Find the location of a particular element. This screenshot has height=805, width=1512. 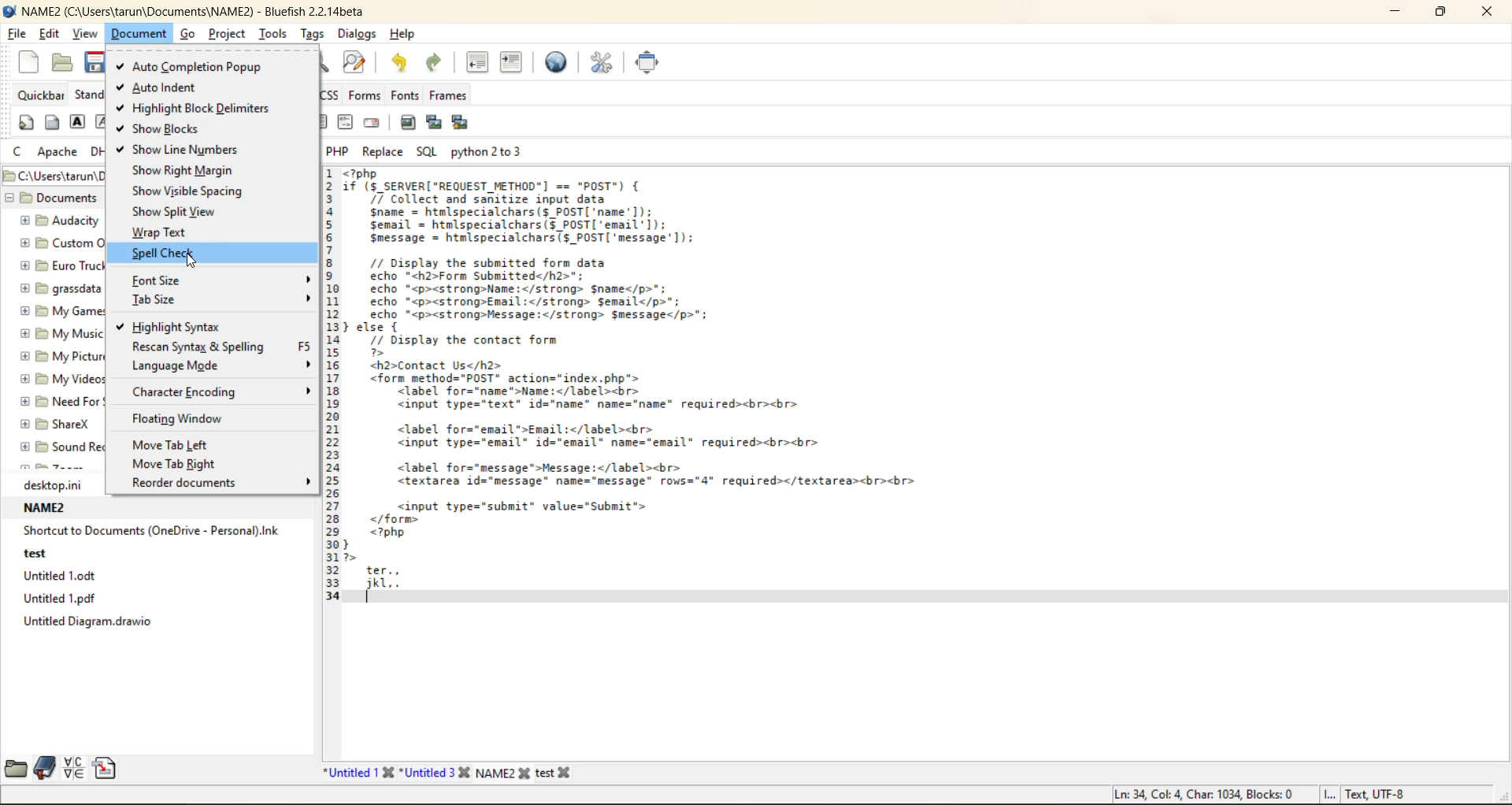

untitled is located at coordinates (66, 577).